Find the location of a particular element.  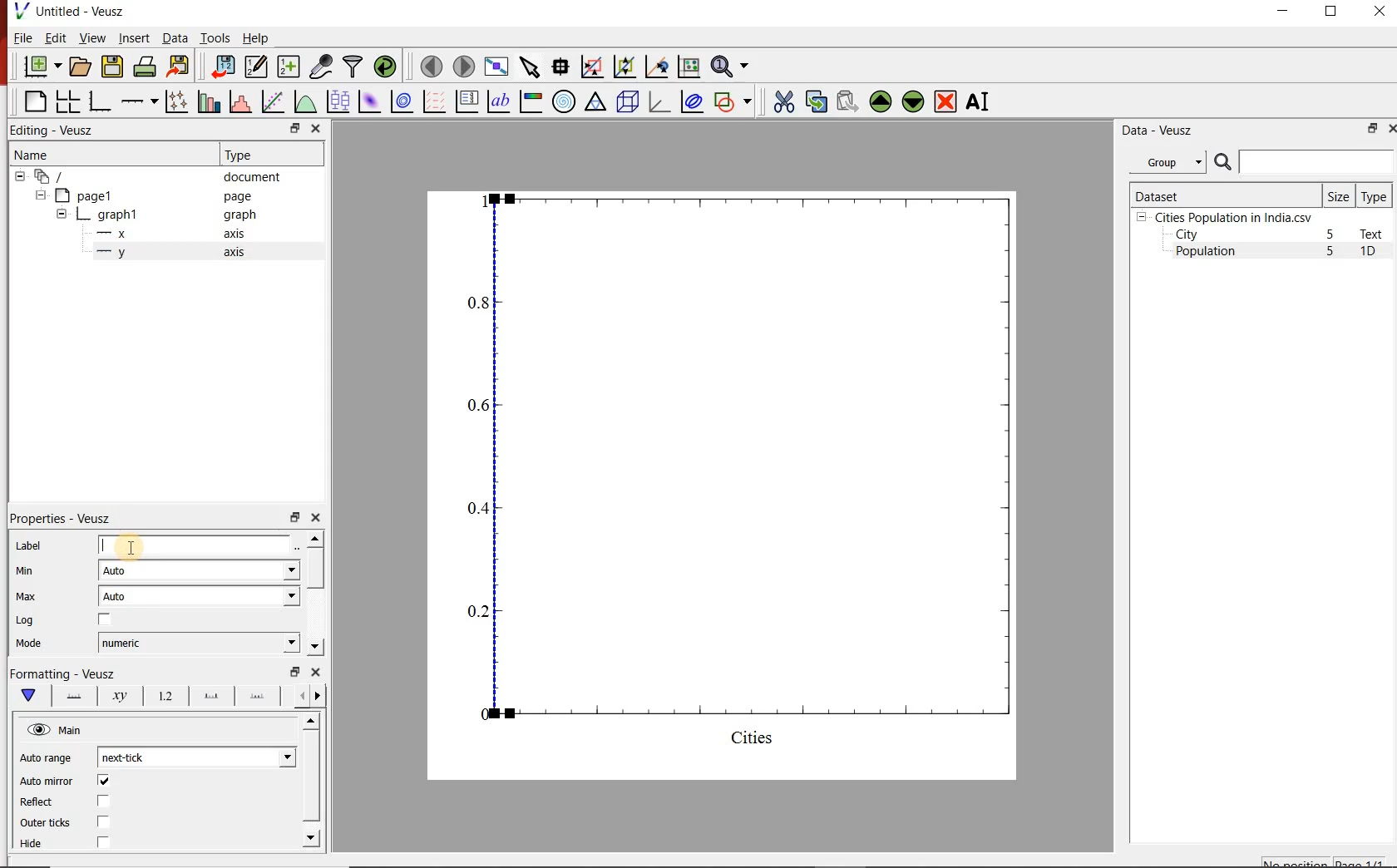

Add an axis to the plot is located at coordinates (139, 99).